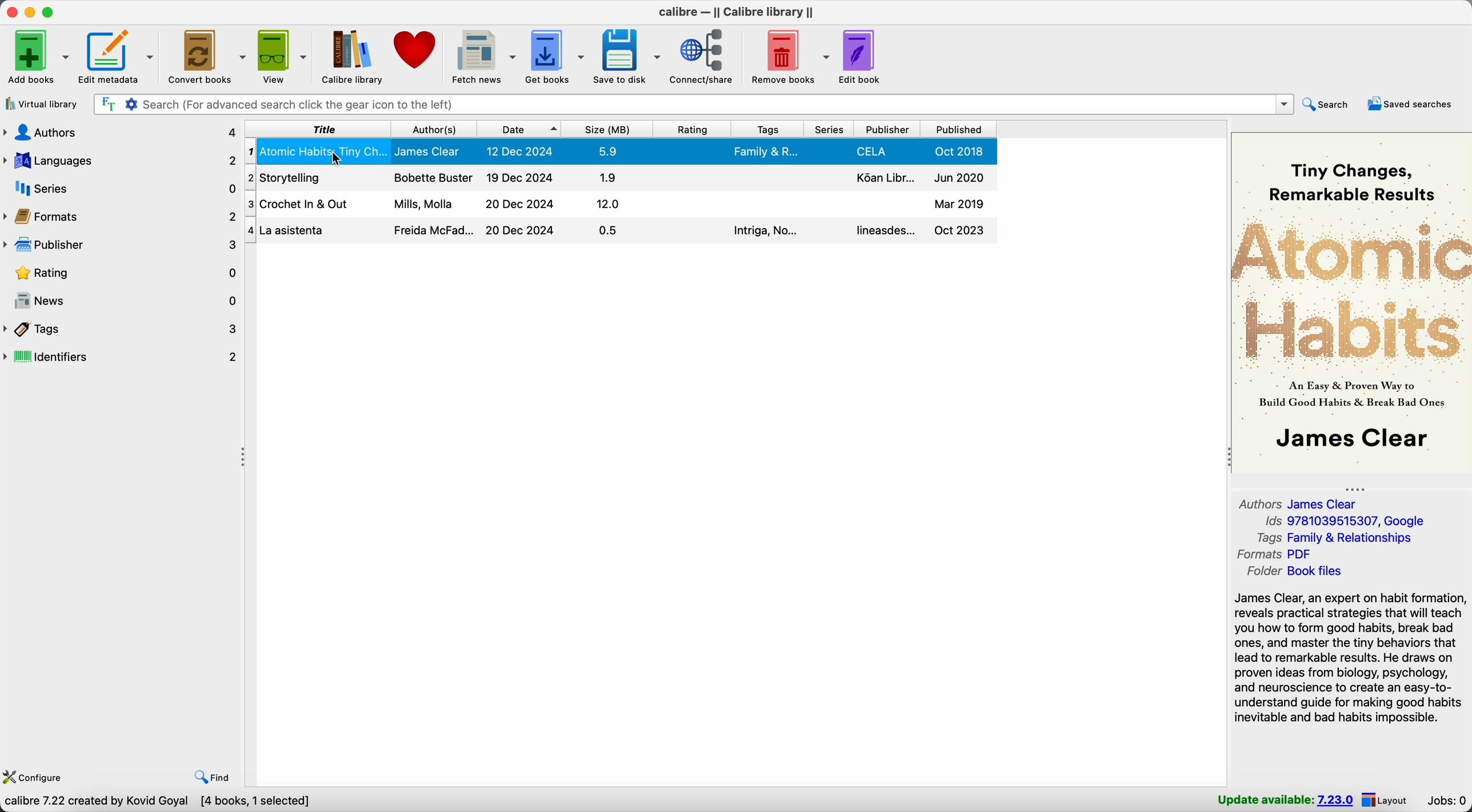 This screenshot has height=812, width=1472. What do you see at coordinates (626, 55) in the screenshot?
I see `save to disk` at bounding box center [626, 55].